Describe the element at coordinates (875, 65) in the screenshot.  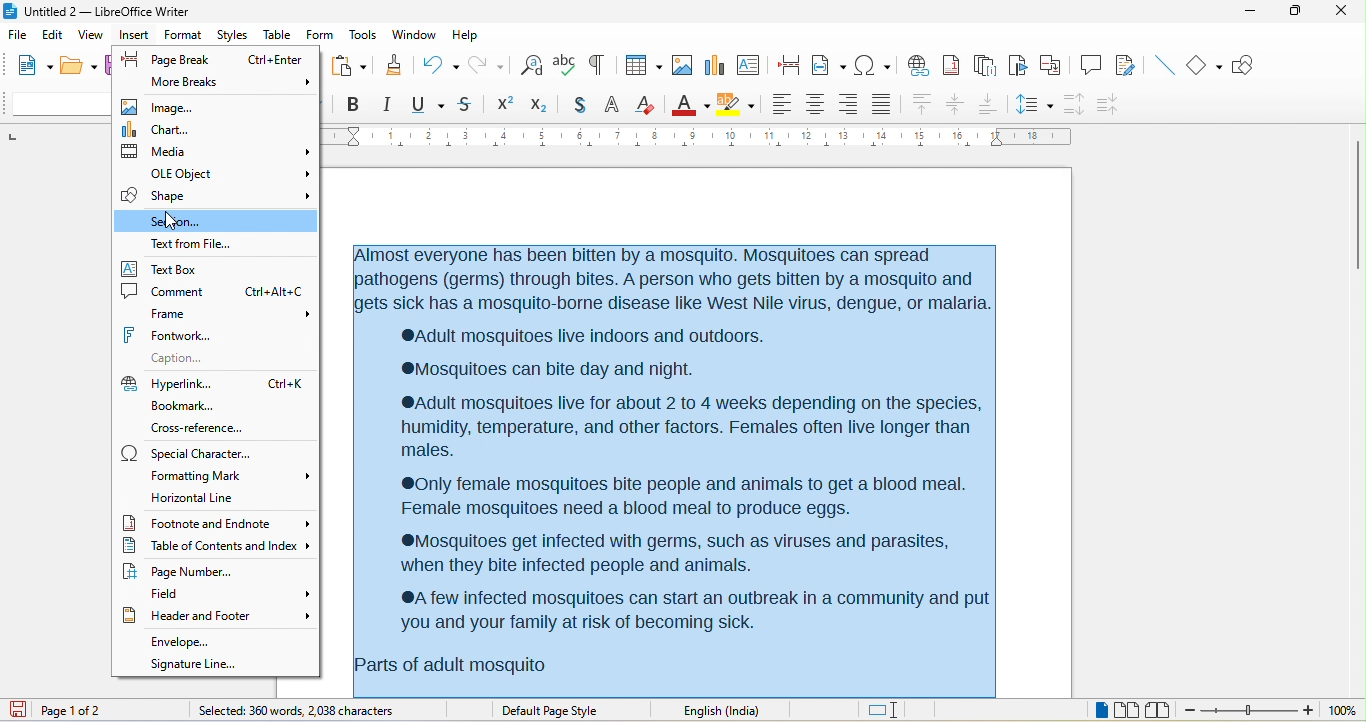
I see `special character` at that location.